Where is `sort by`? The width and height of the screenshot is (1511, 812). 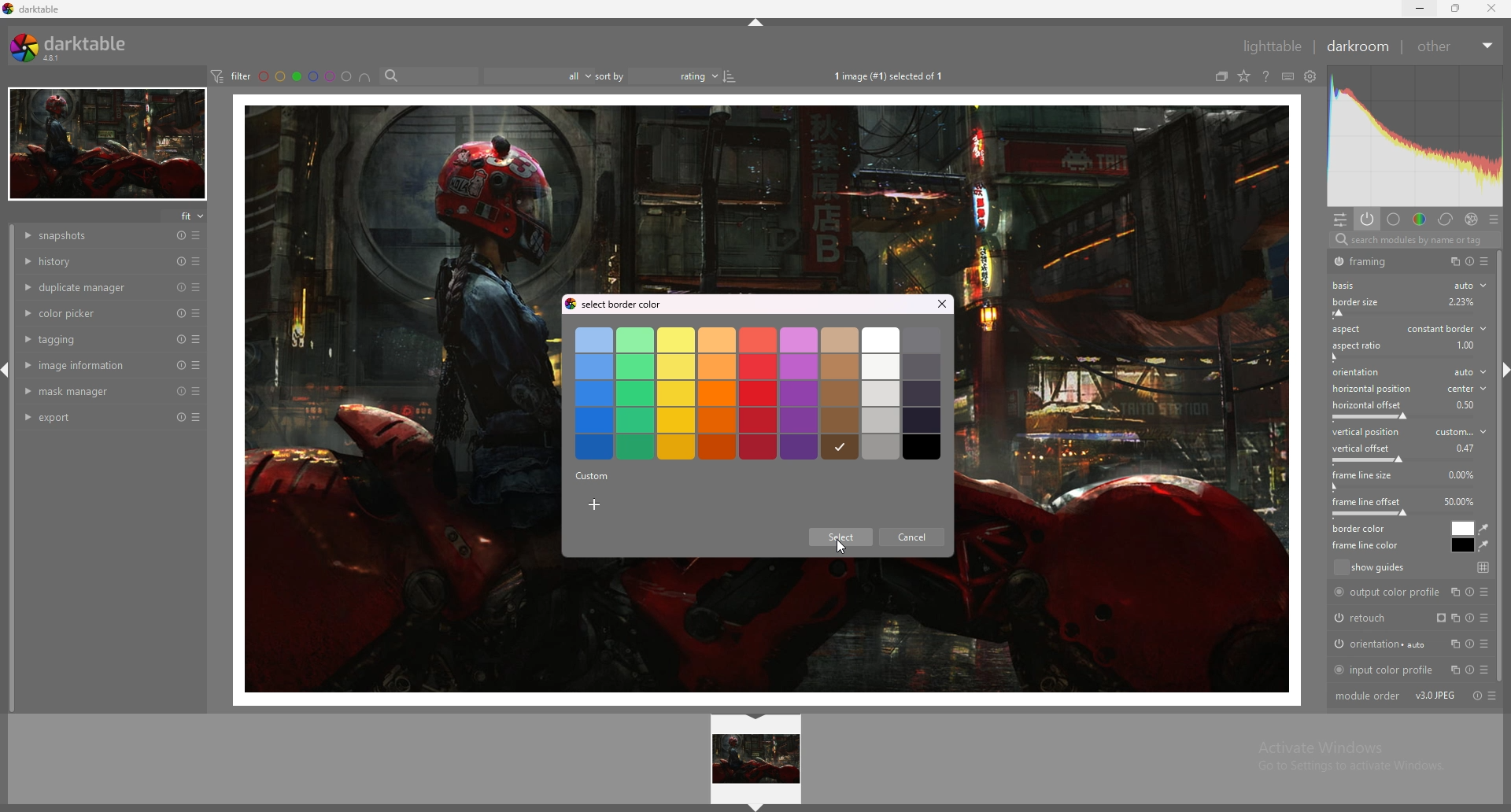
sort by is located at coordinates (608, 76).